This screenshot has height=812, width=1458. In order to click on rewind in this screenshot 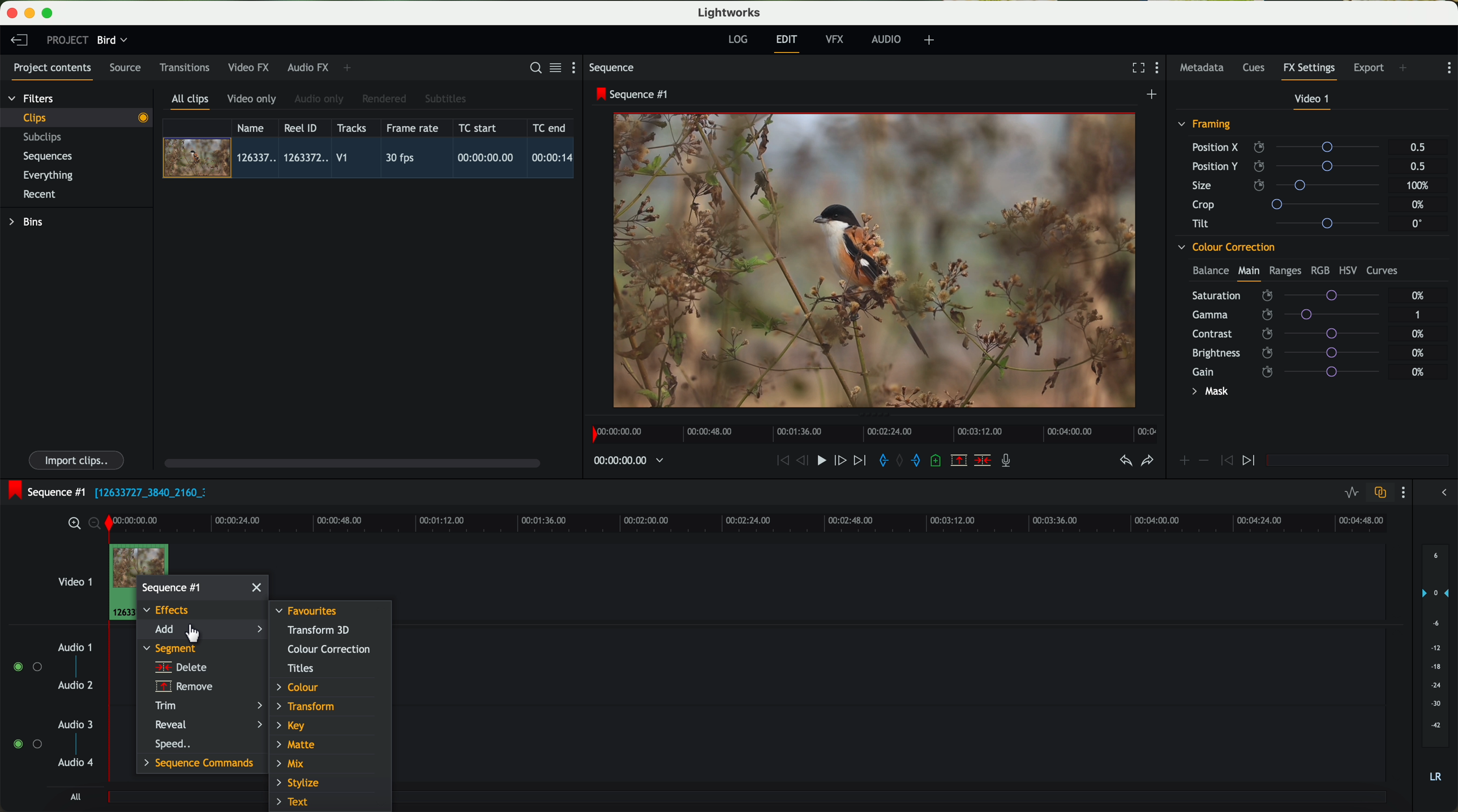, I will do `click(782, 461)`.